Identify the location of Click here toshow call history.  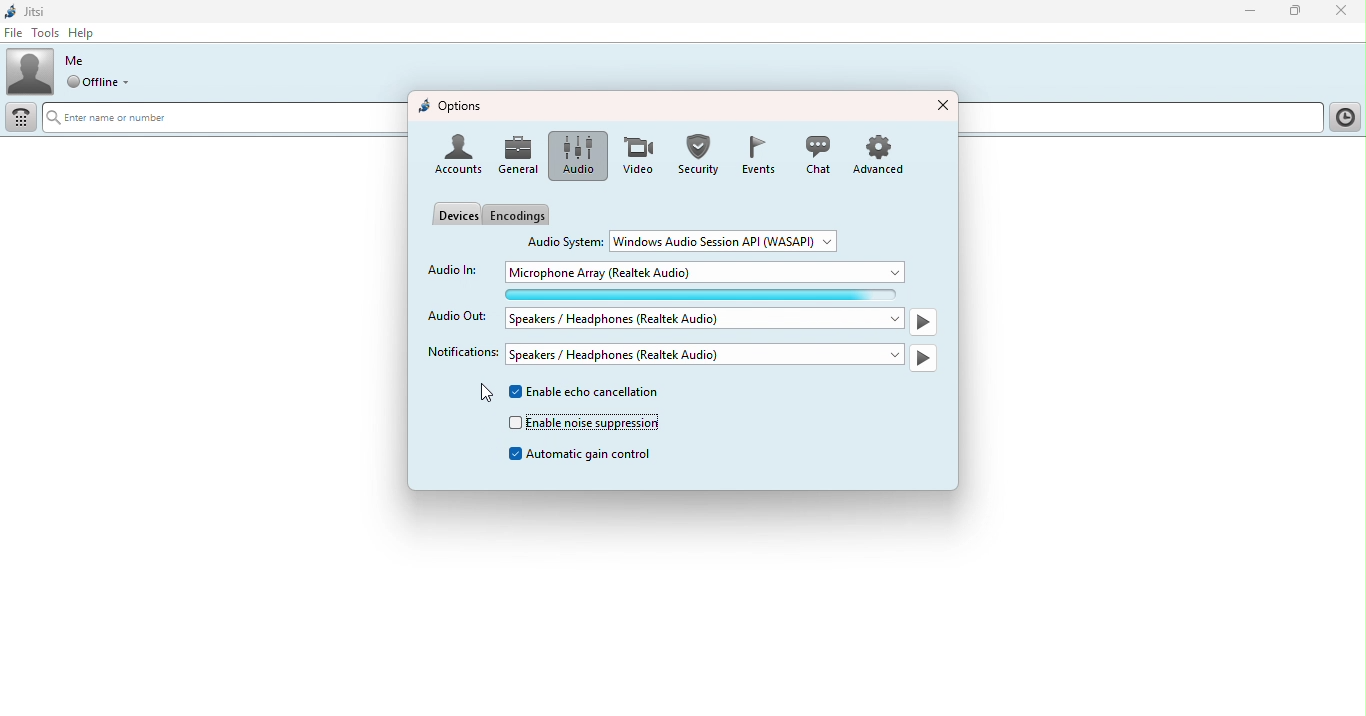
(1343, 118).